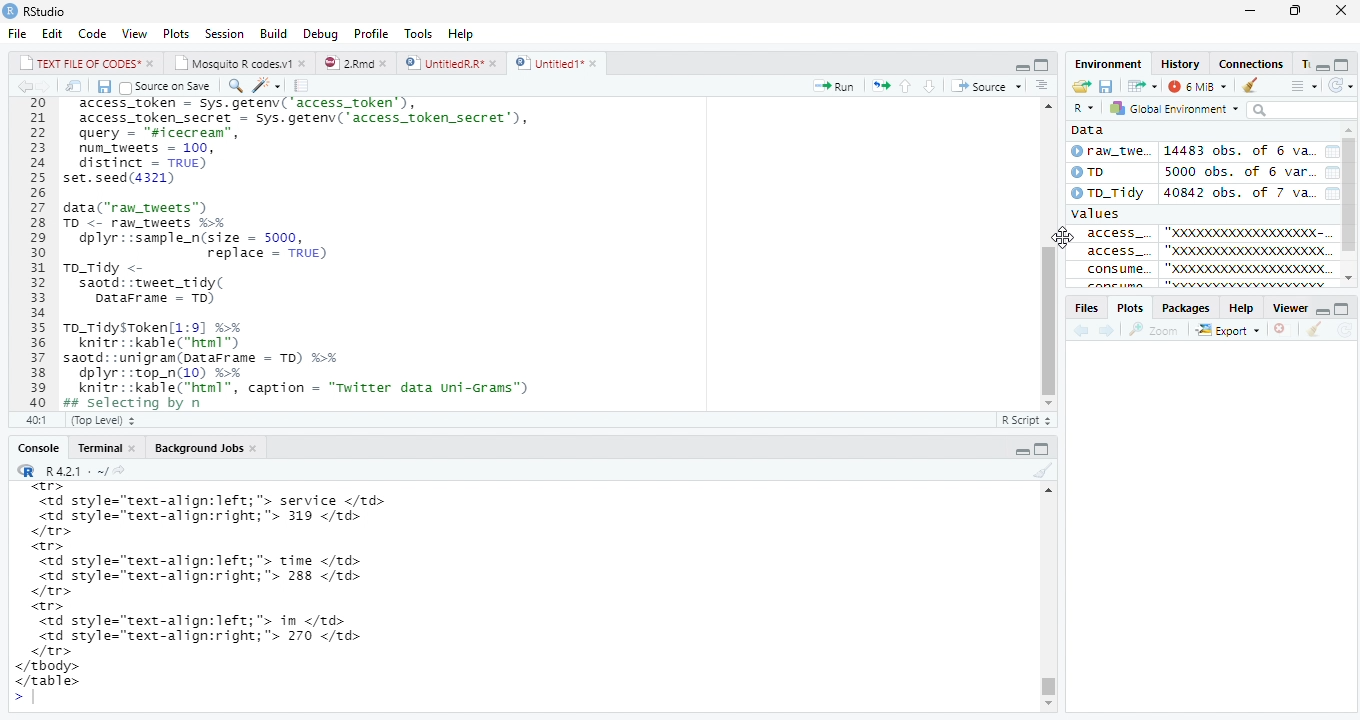 This screenshot has height=720, width=1360. I want to click on clear console, so click(1316, 330).